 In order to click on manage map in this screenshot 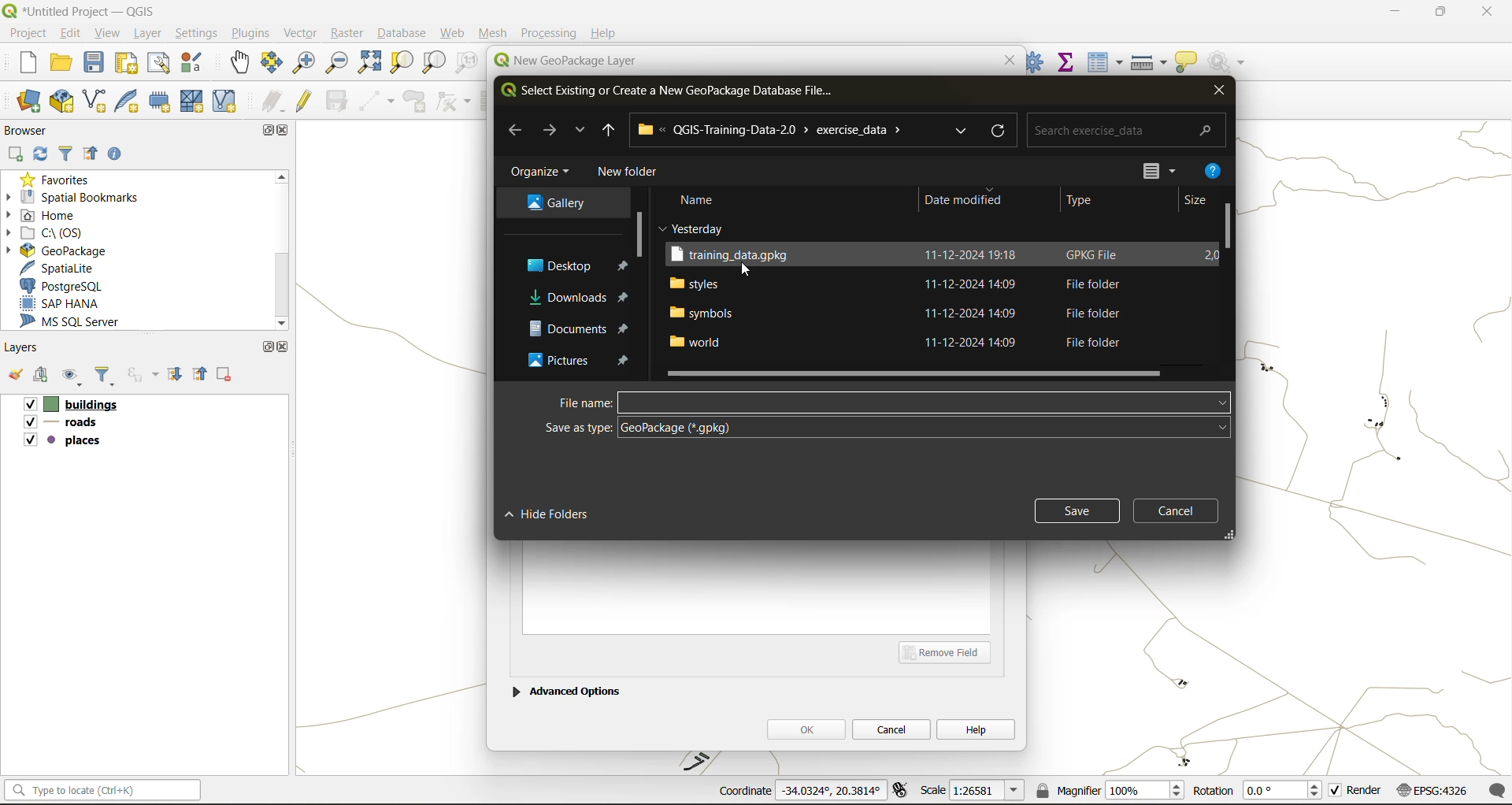, I will do `click(74, 378)`.